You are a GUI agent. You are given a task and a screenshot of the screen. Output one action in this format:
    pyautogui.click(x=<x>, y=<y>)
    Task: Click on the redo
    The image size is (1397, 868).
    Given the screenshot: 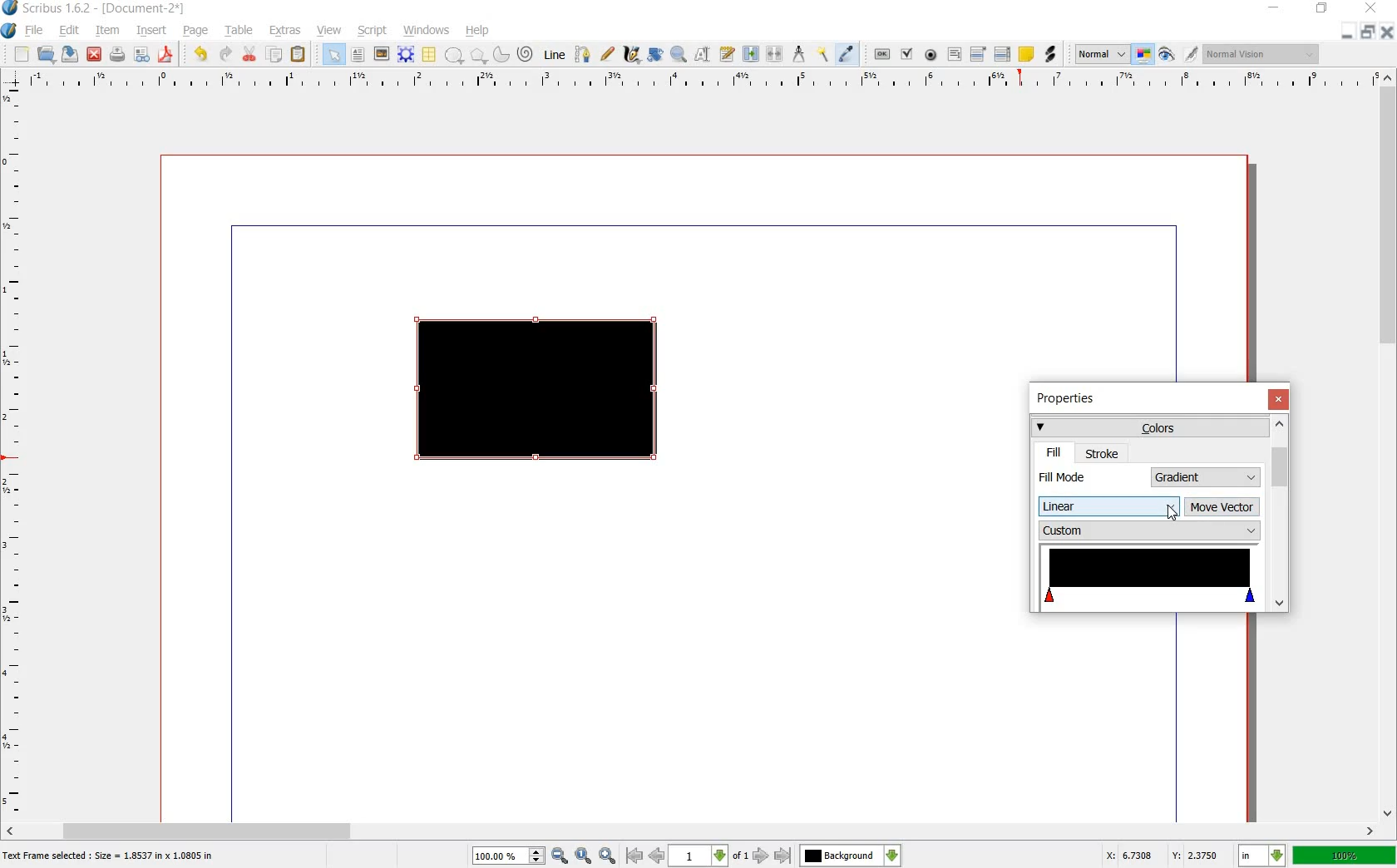 What is the action you would take?
    pyautogui.click(x=225, y=55)
    